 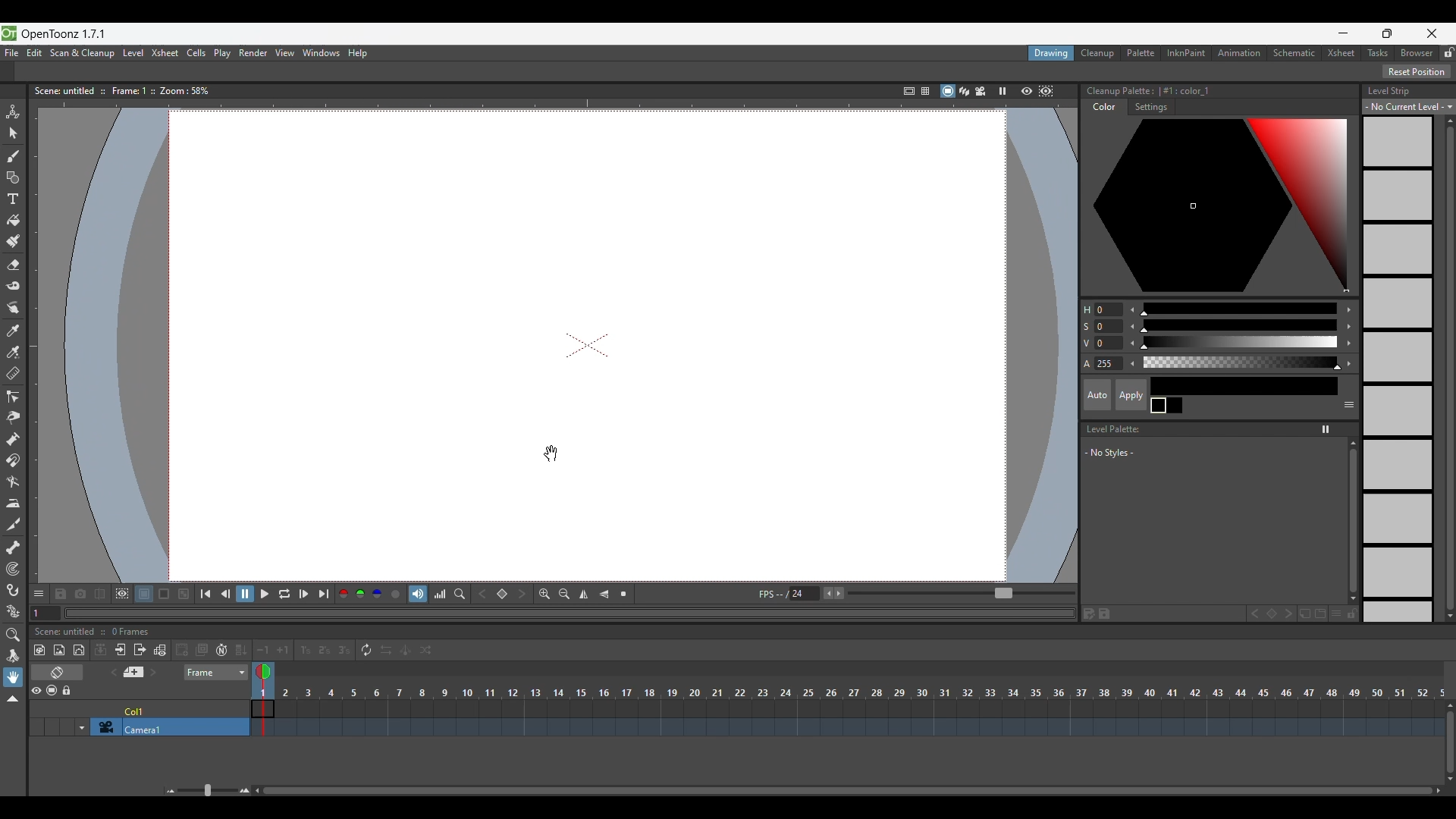 I want to click on Quick vertical slide to the top, so click(x=1353, y=442).